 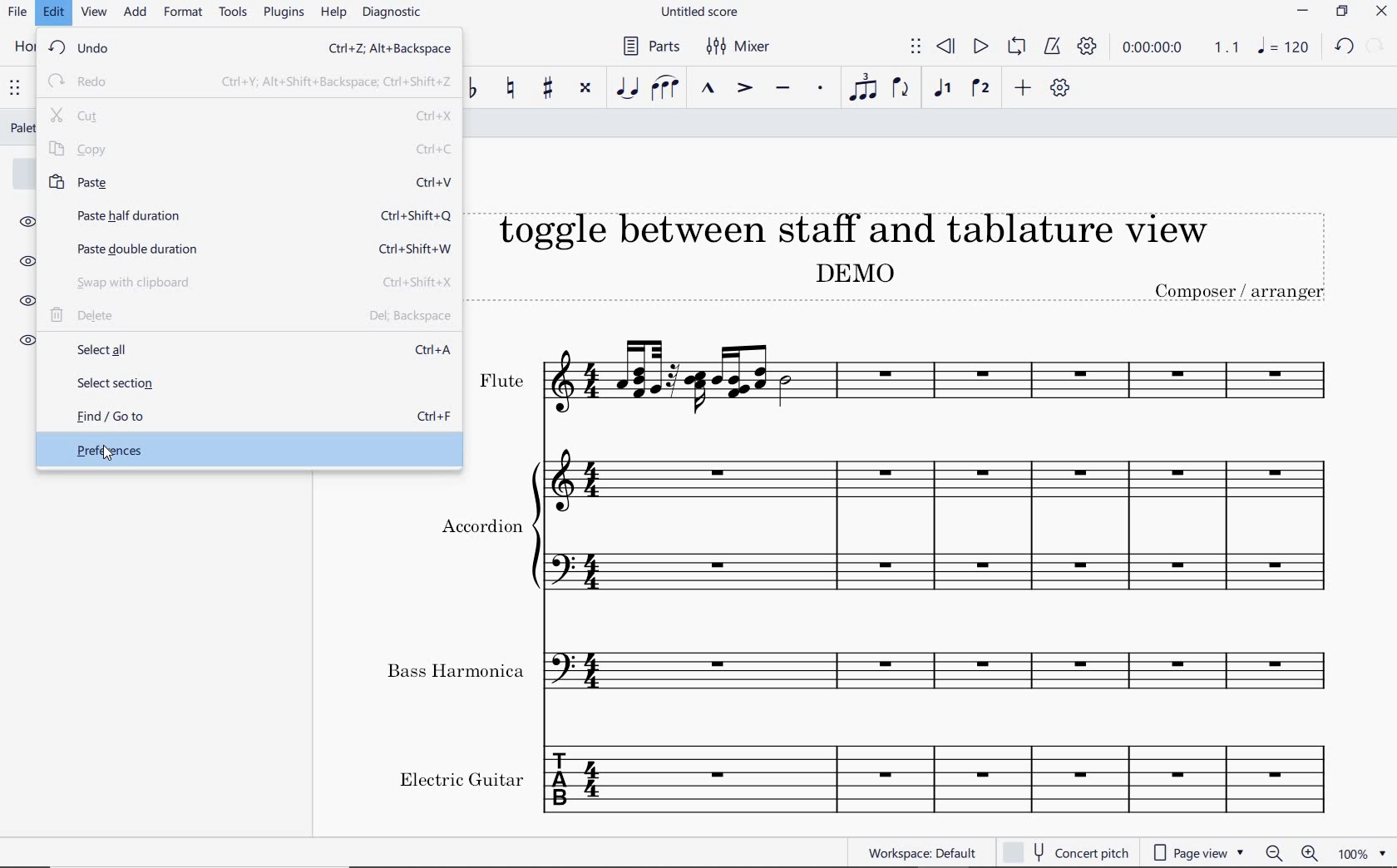 I want to click on toggle natural, so click(x=512, y=88).